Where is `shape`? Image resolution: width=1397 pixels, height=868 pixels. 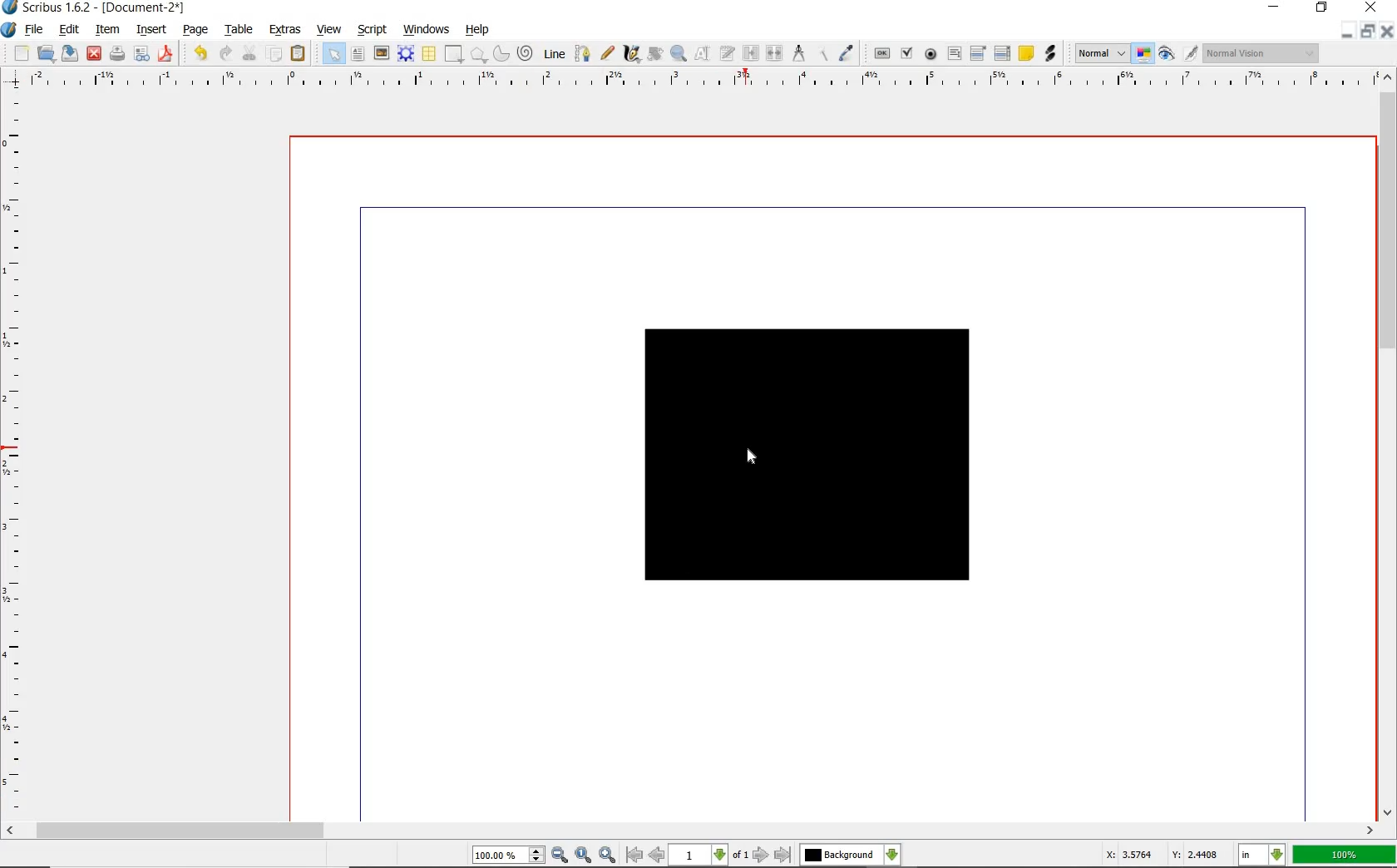 shape is located at coordinates (807, 455).